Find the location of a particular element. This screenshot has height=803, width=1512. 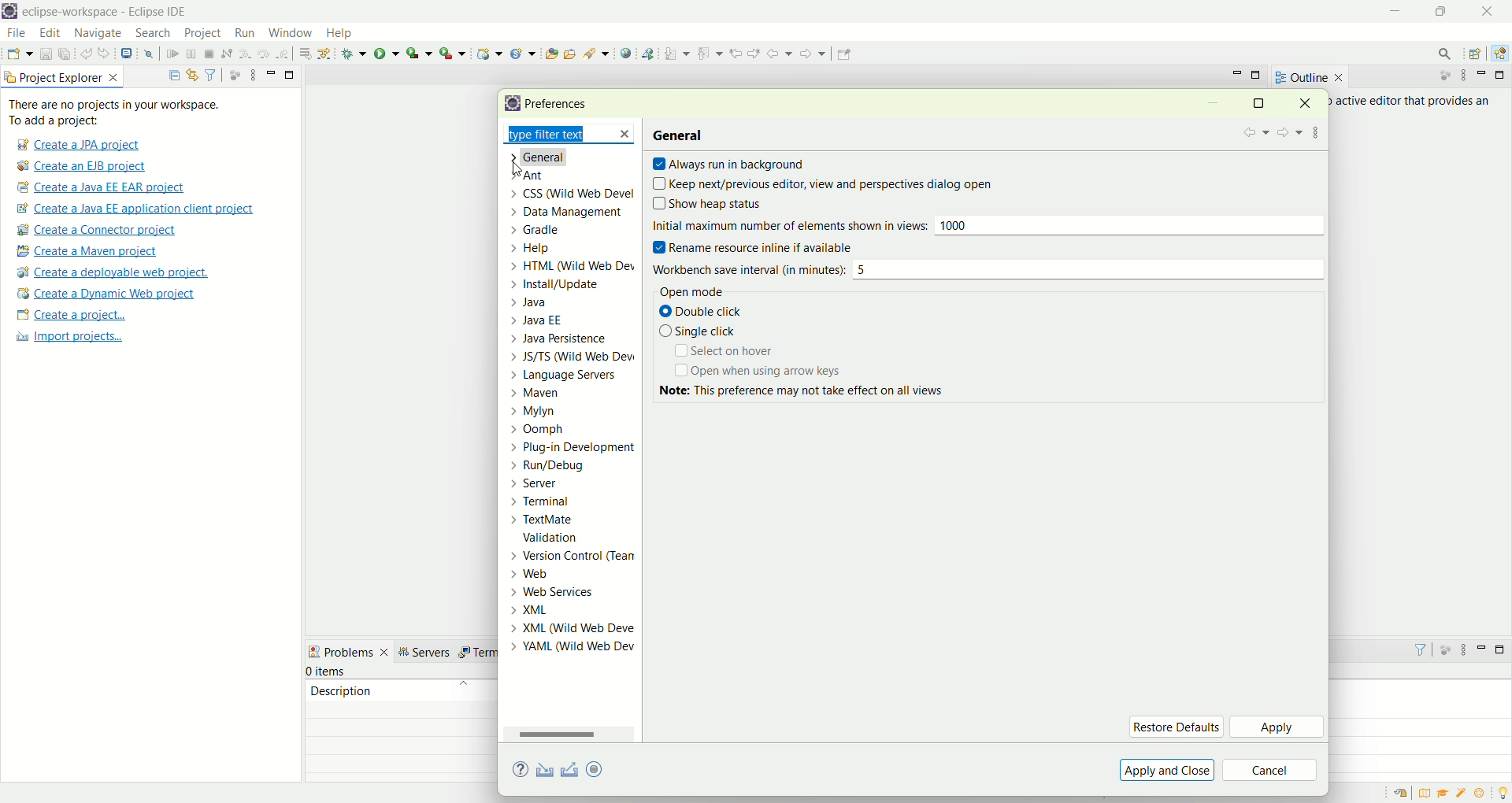

problems is located at coordinates (349, 650).